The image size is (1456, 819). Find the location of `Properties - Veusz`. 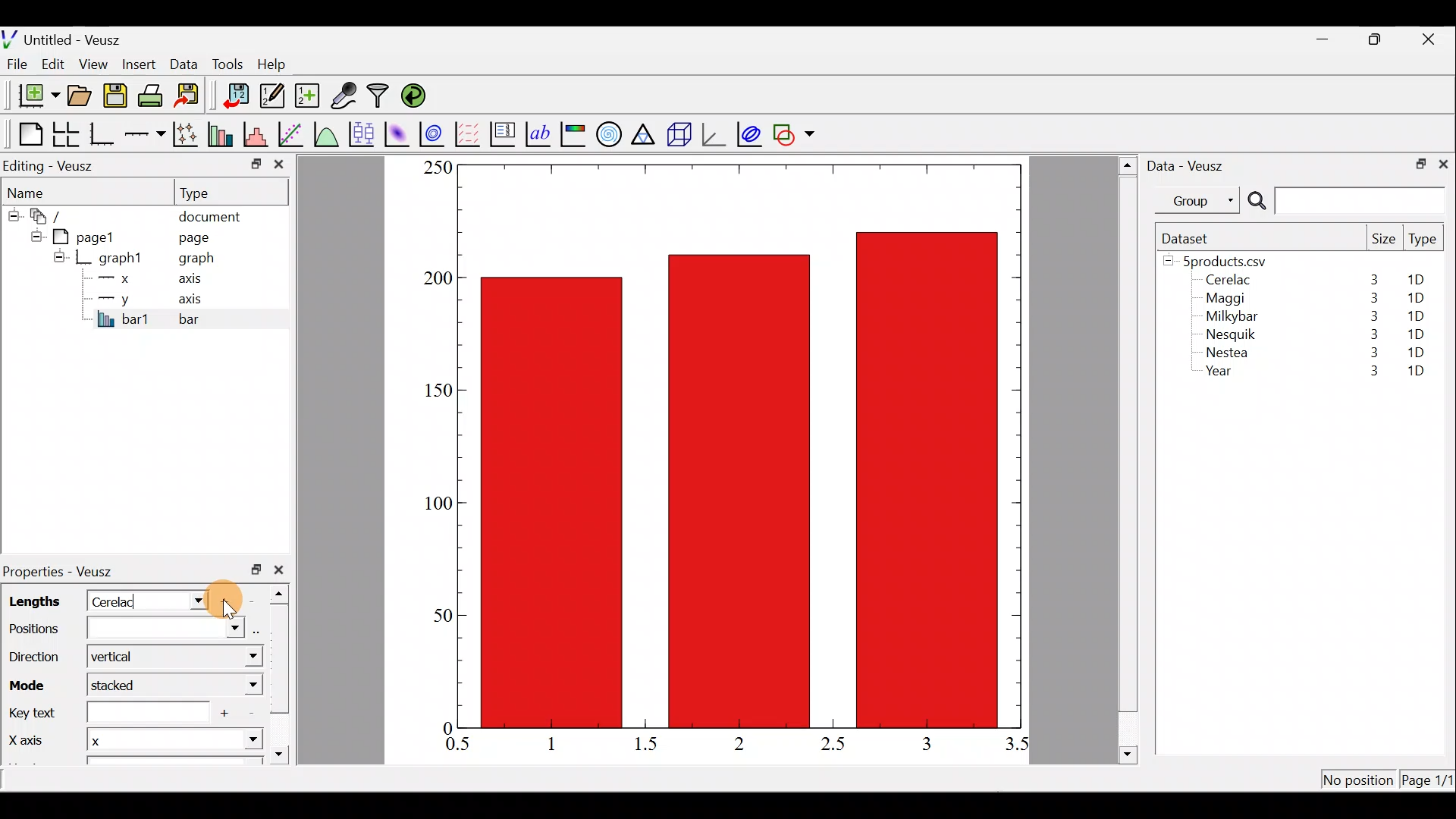

Properties - Veusz is located at coordinates (64, 572).